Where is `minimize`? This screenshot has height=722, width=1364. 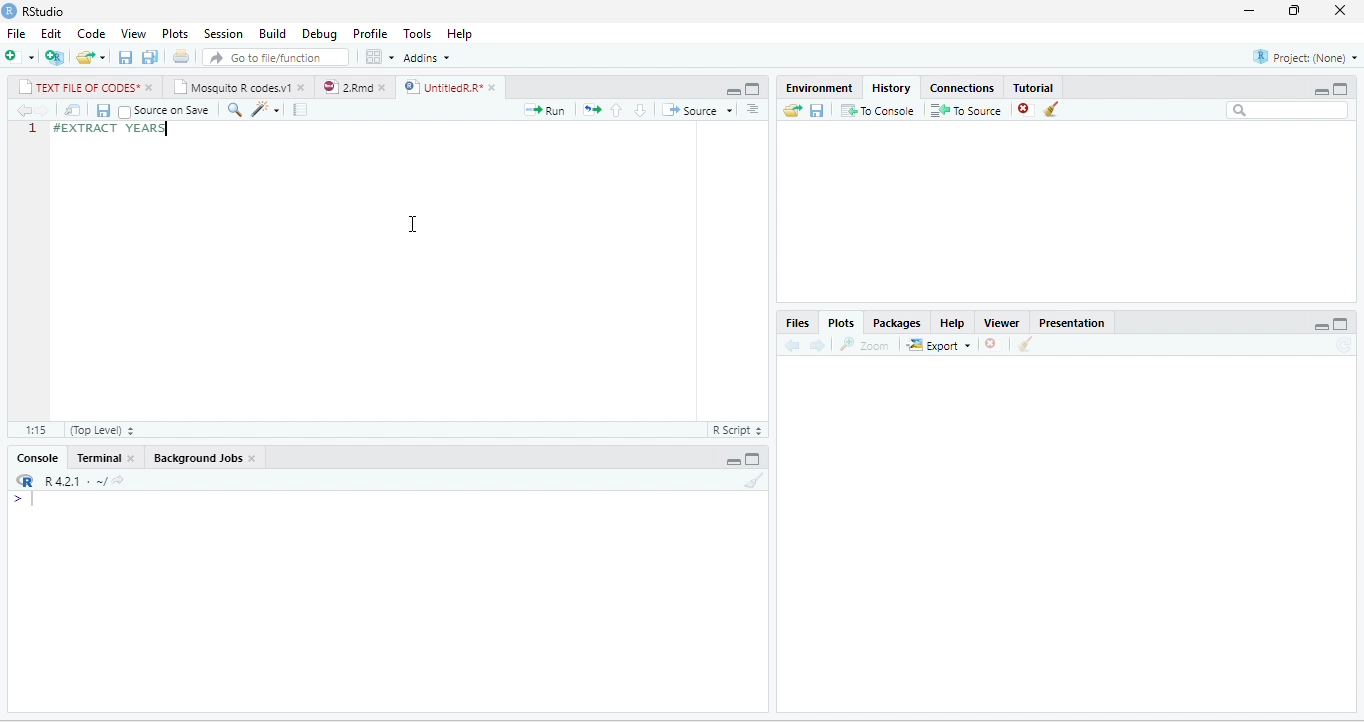 minimize is located at coordinates (1321, 326).